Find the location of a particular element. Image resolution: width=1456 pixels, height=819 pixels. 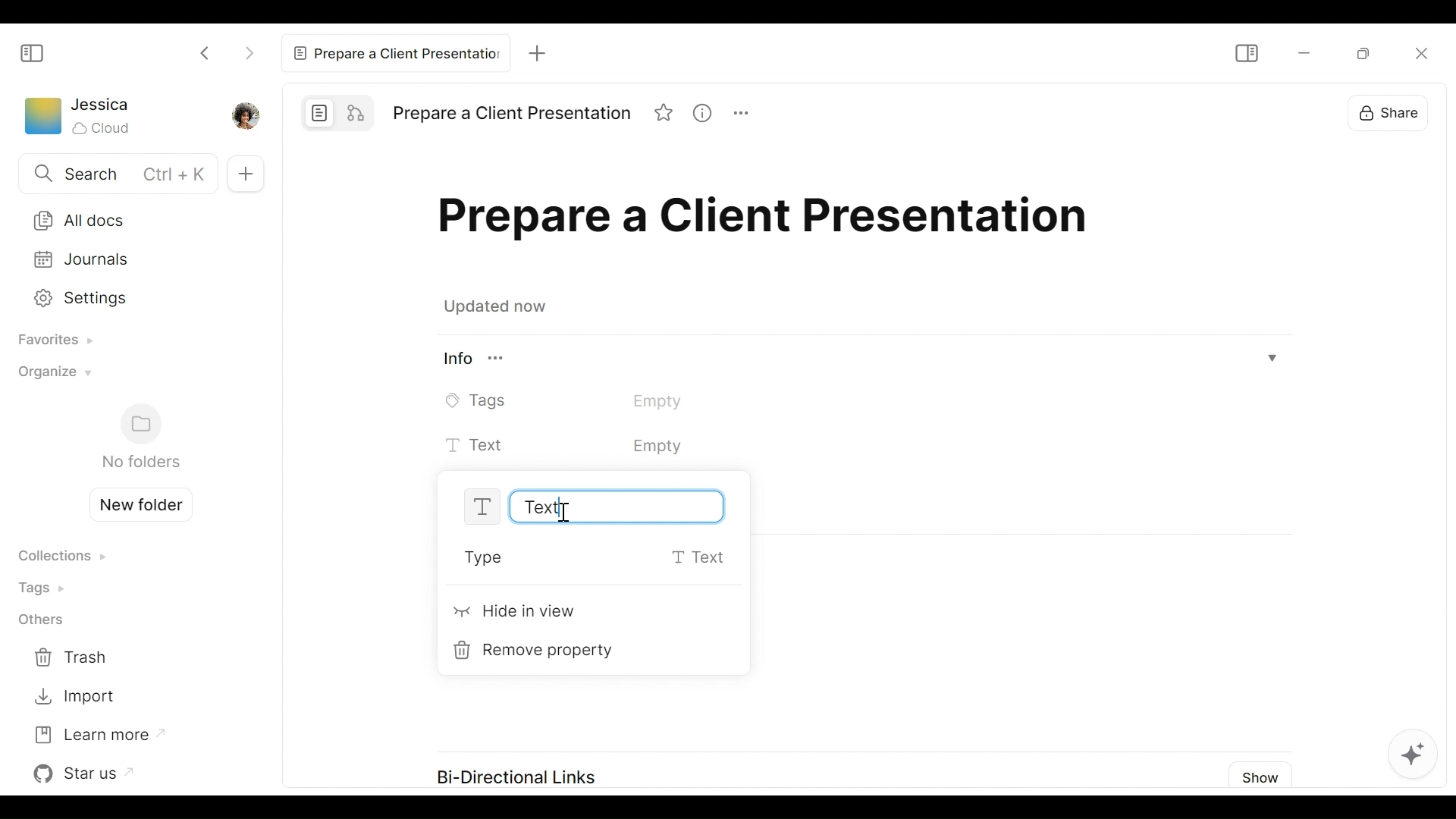

Learn more is located at coordinates (98, 733).